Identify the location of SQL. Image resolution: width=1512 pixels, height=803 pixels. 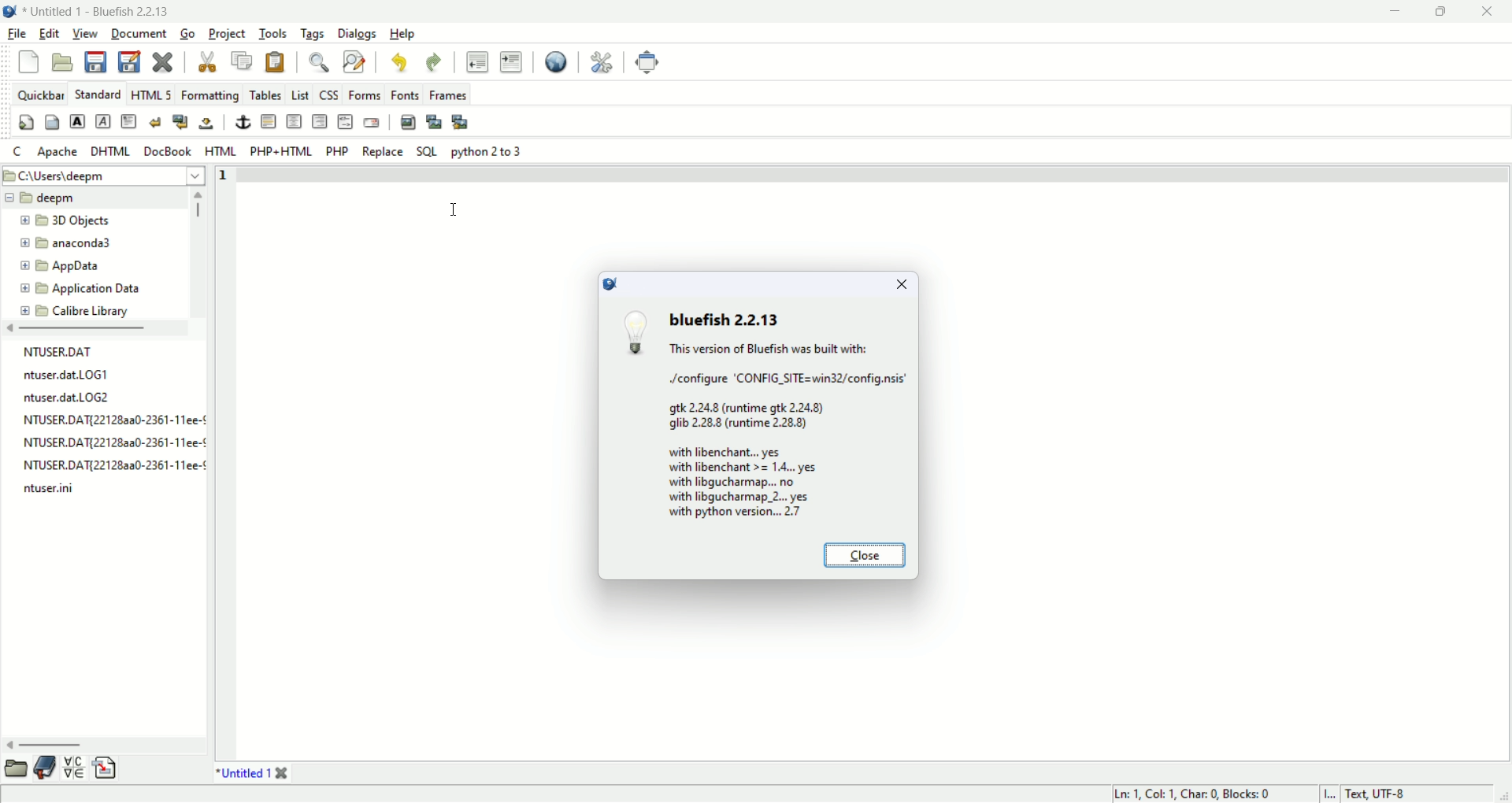
(426, 151).